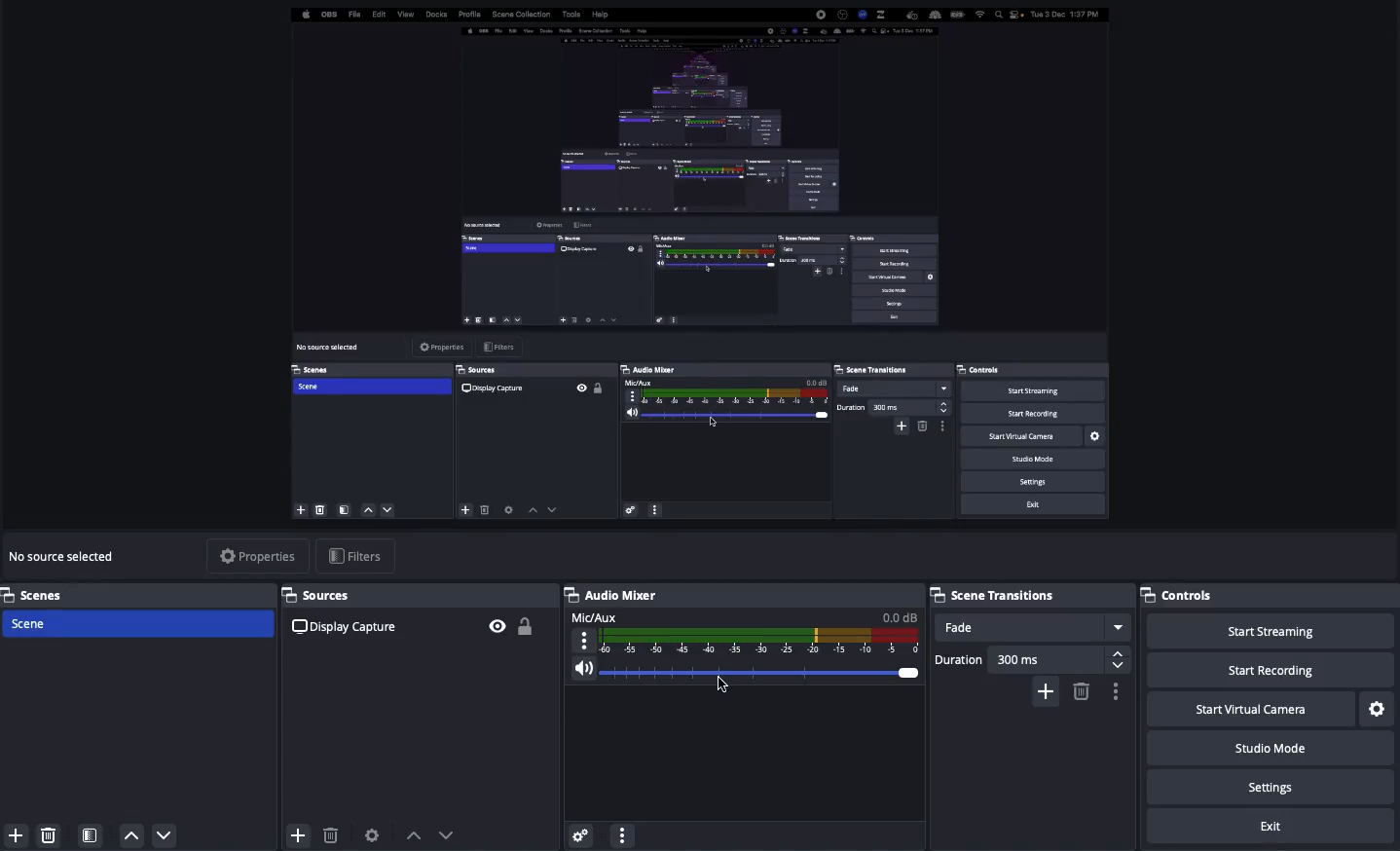 The height and width of the screenshot is (851, 1400). I want to click on Filters, so click(362, 556).